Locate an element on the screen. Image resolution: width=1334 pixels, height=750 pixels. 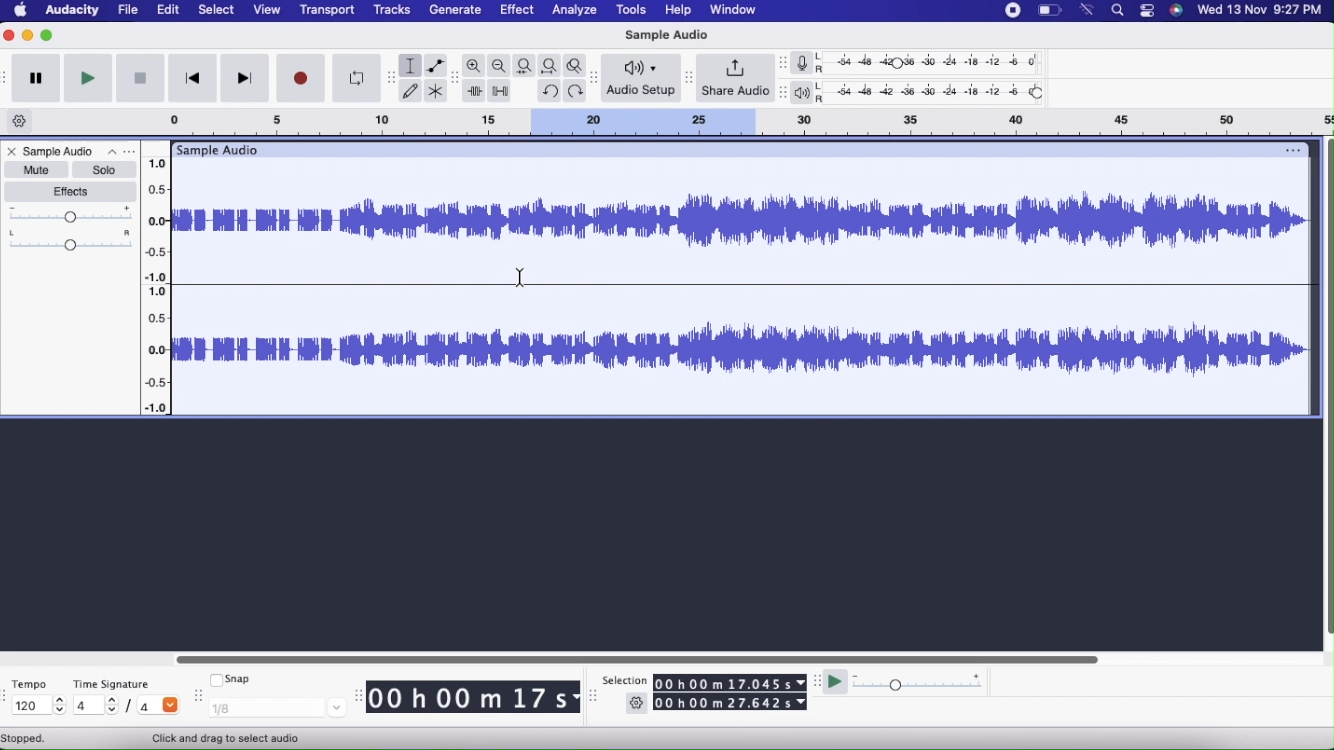
120 is located at coordinates (36, 706).